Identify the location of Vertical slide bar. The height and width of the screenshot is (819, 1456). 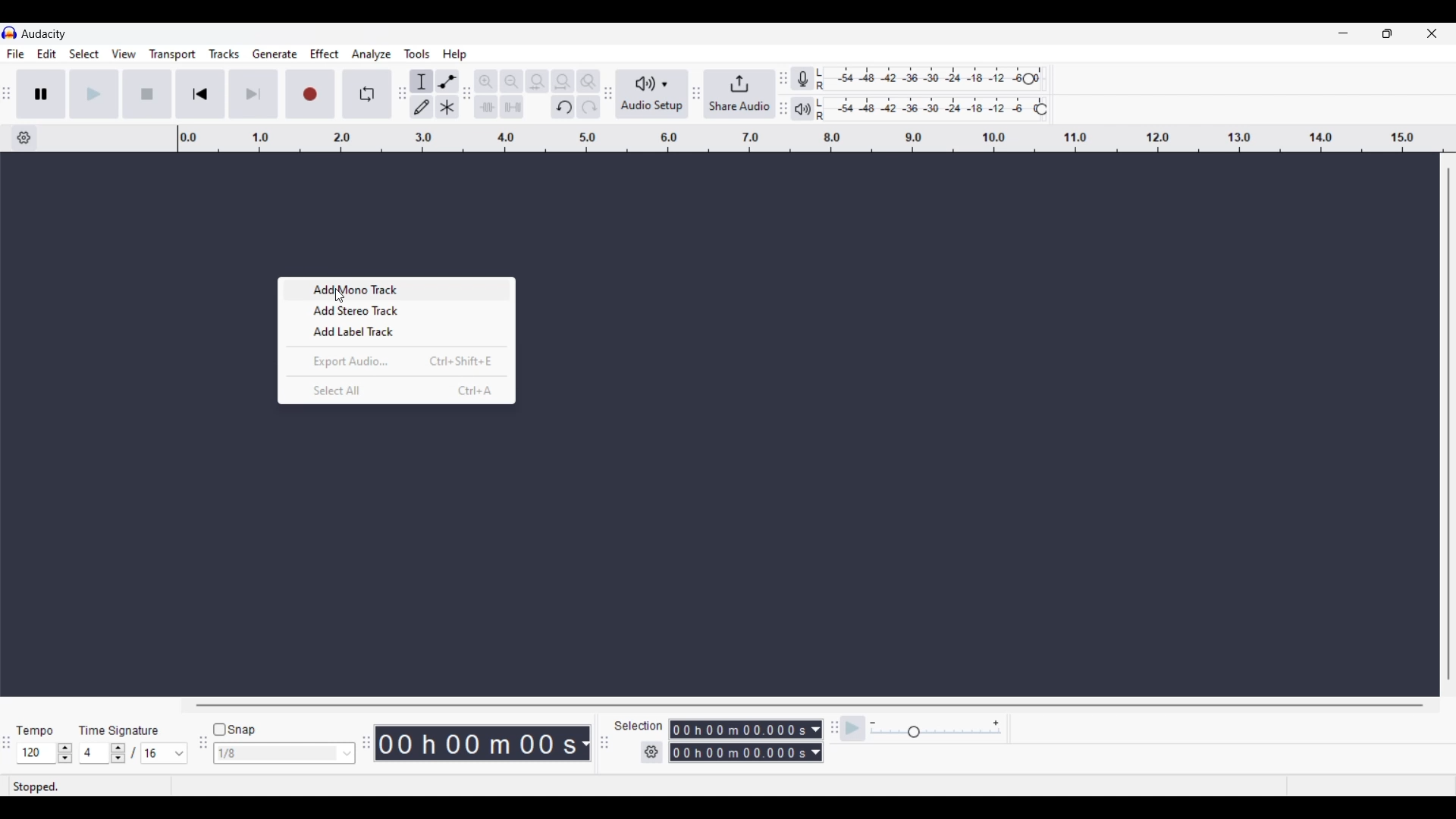
(1448, 424).